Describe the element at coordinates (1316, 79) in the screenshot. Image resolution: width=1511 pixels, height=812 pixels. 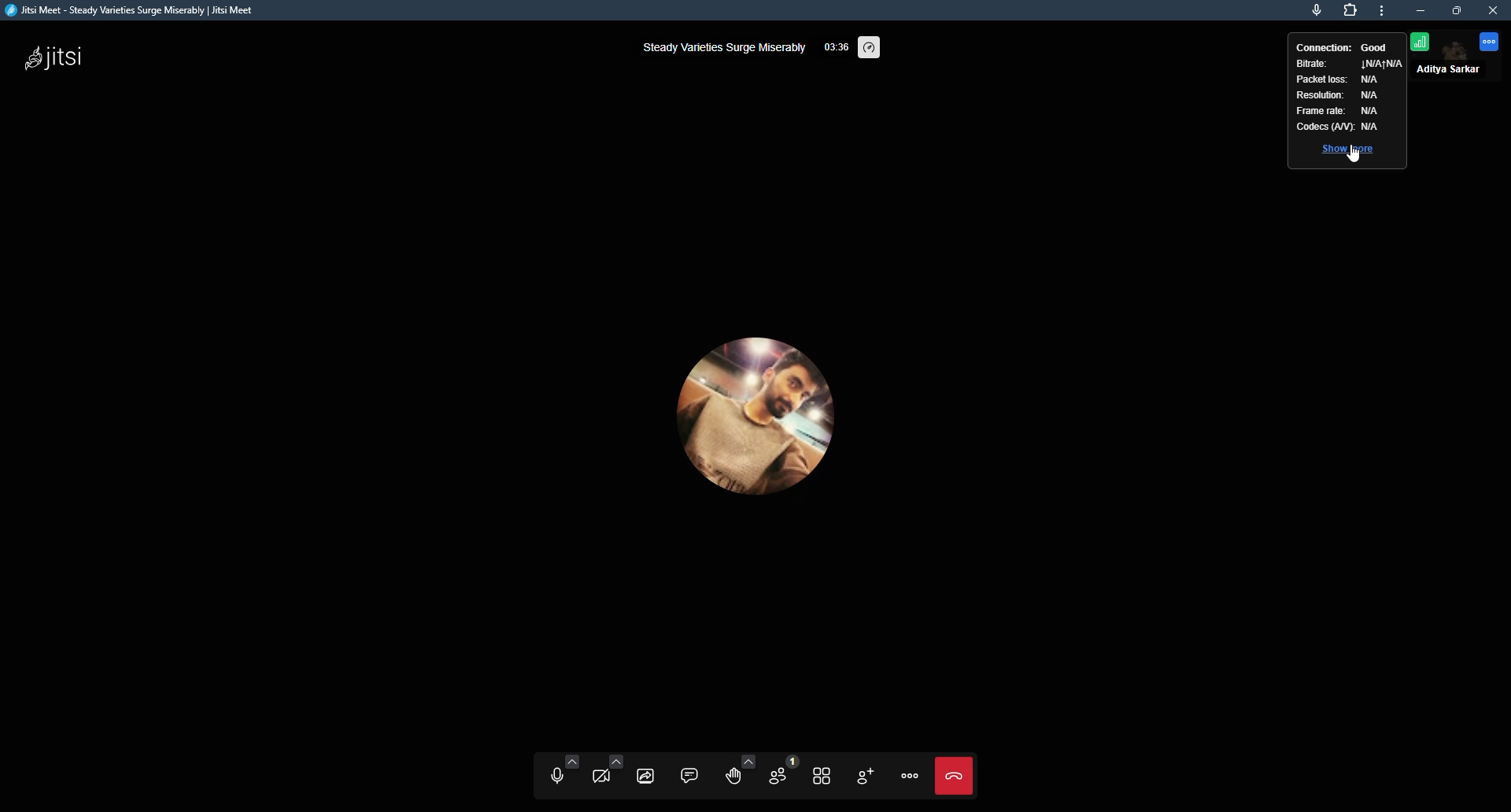
I see `packet loss` at that location.